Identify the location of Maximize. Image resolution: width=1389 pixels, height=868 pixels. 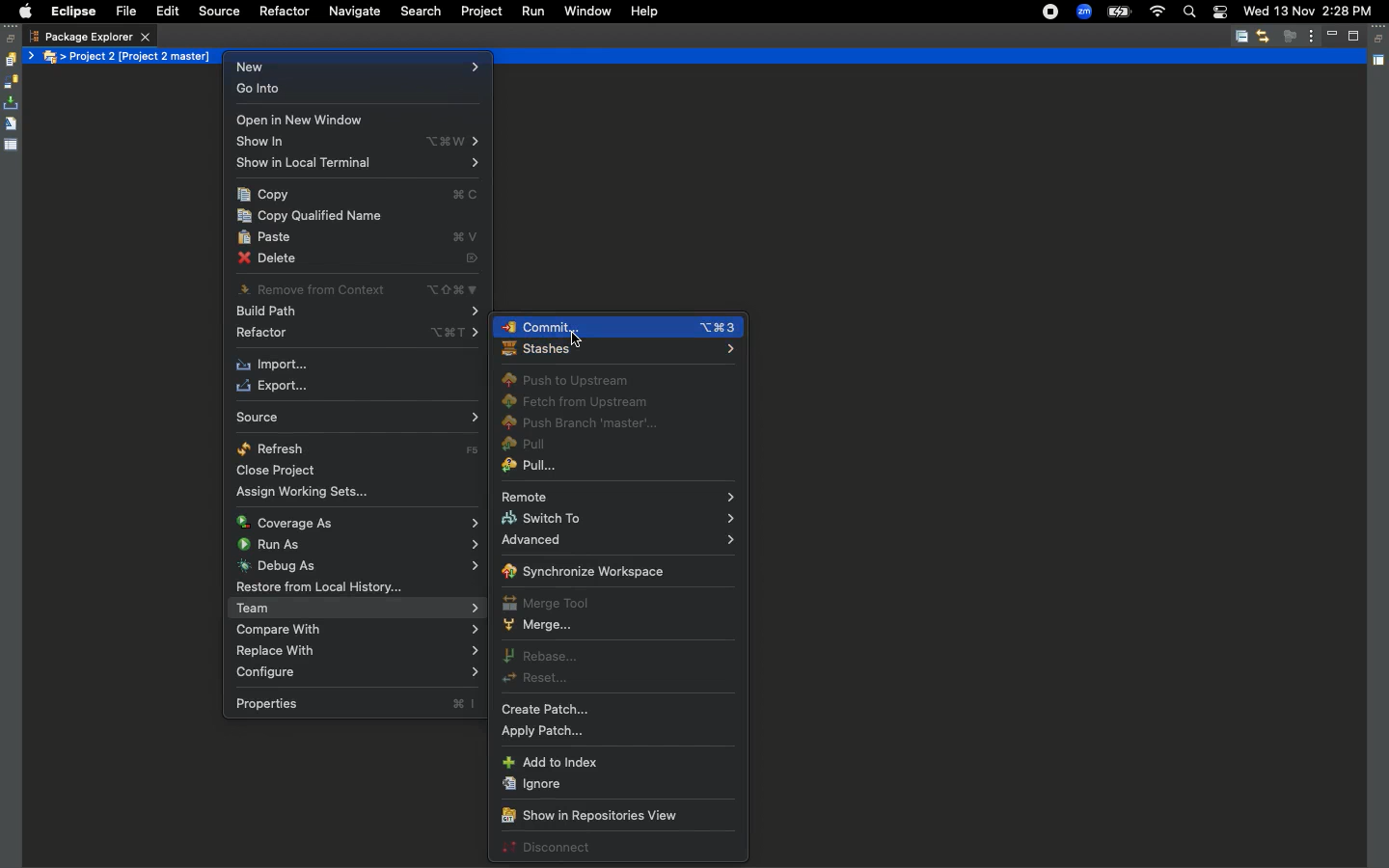
(1355, 36).